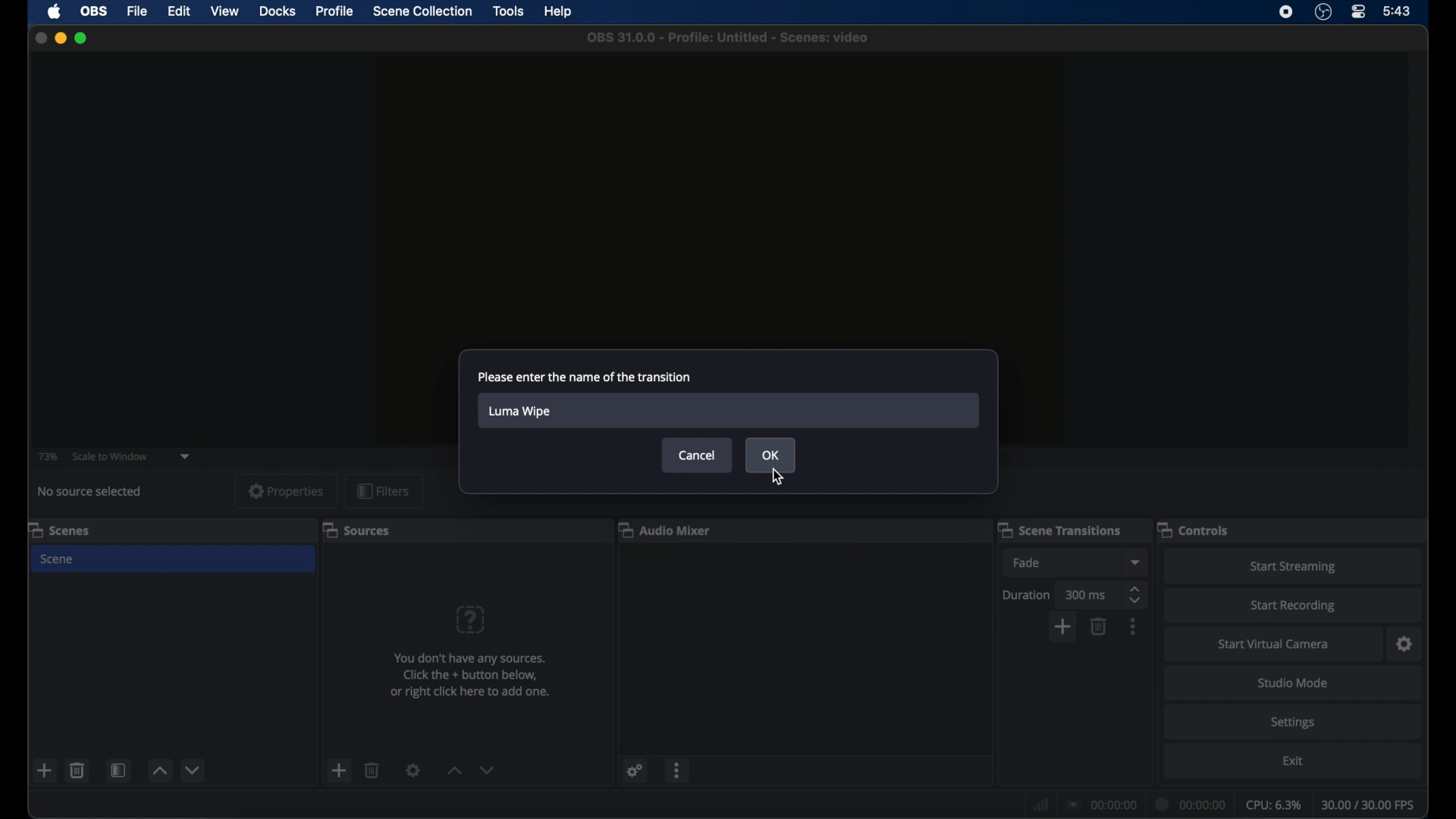  I want to click on preview, so click(722, 199).